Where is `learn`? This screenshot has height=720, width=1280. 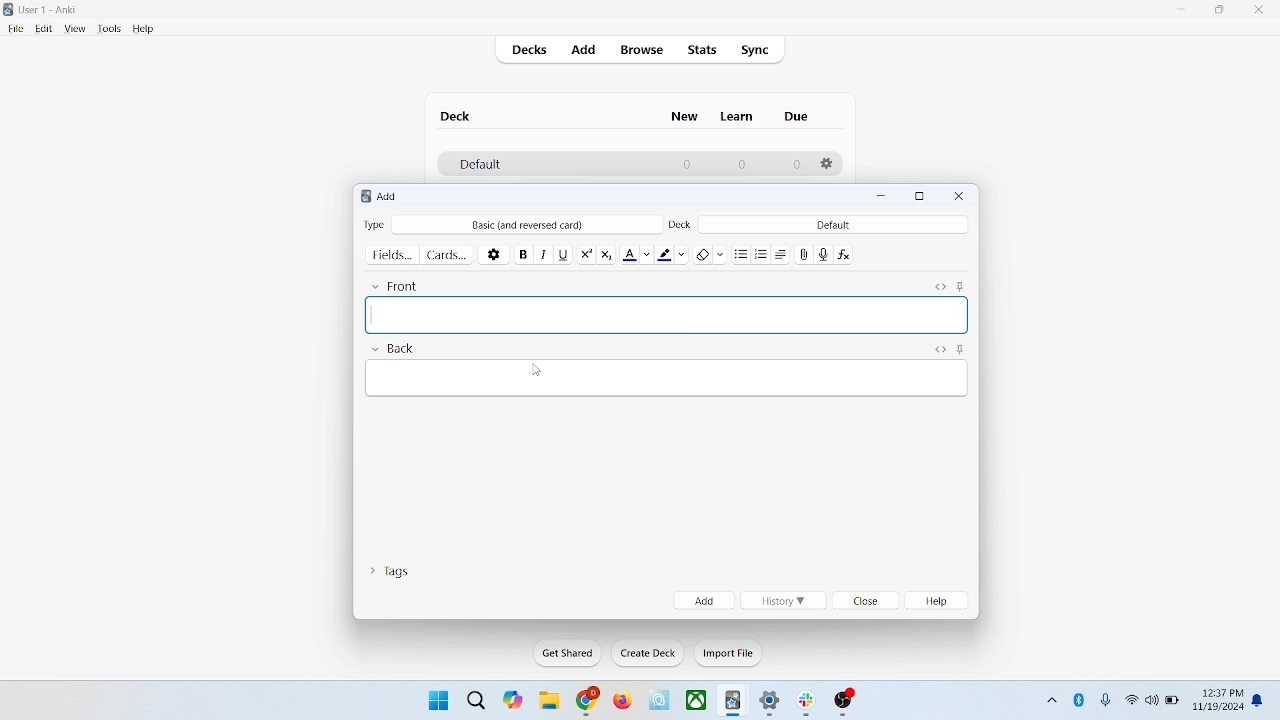 learn is located at coordinates (736, 116).